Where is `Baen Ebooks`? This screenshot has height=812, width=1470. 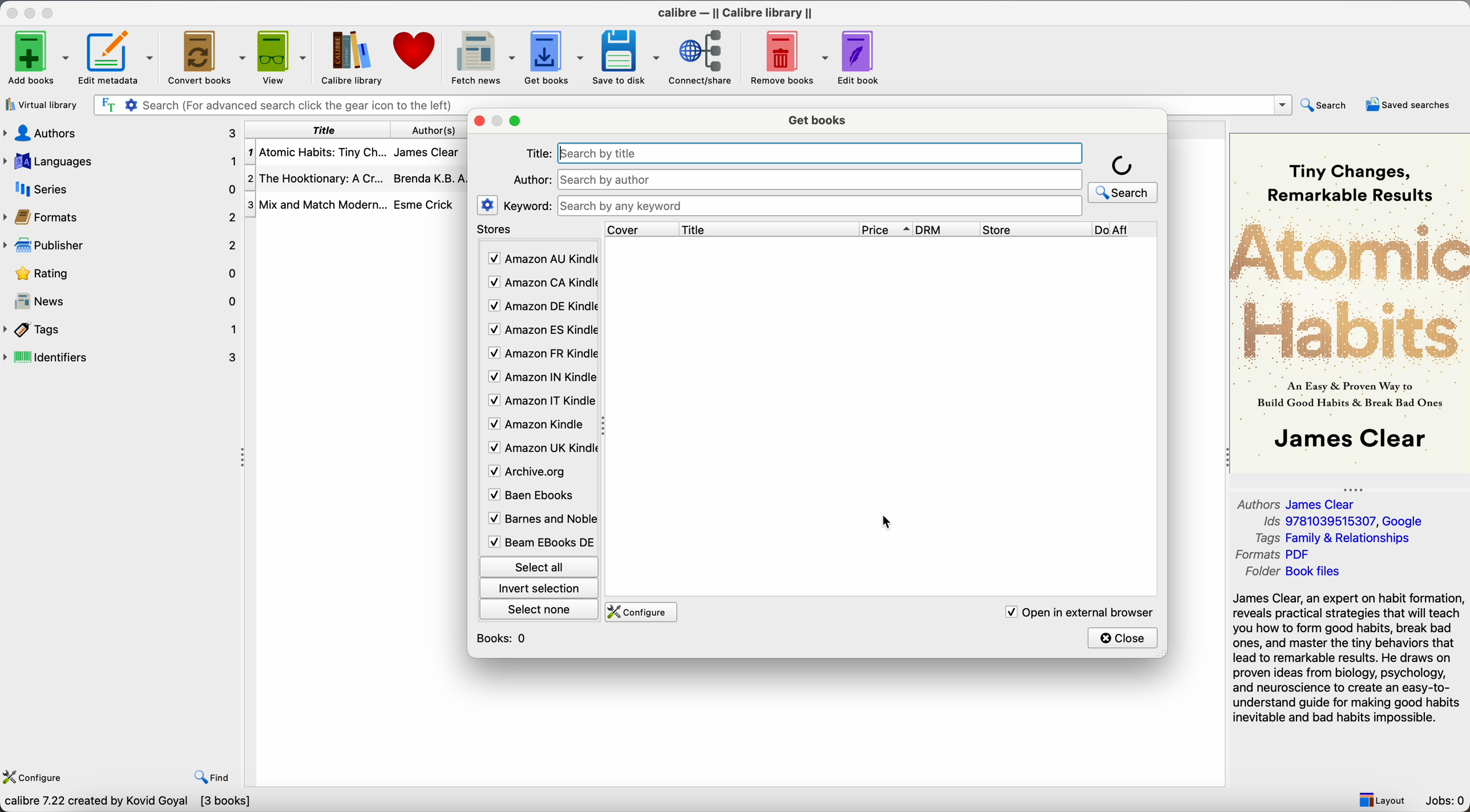 Baen Ebooks is located at coordinates (535, 498).